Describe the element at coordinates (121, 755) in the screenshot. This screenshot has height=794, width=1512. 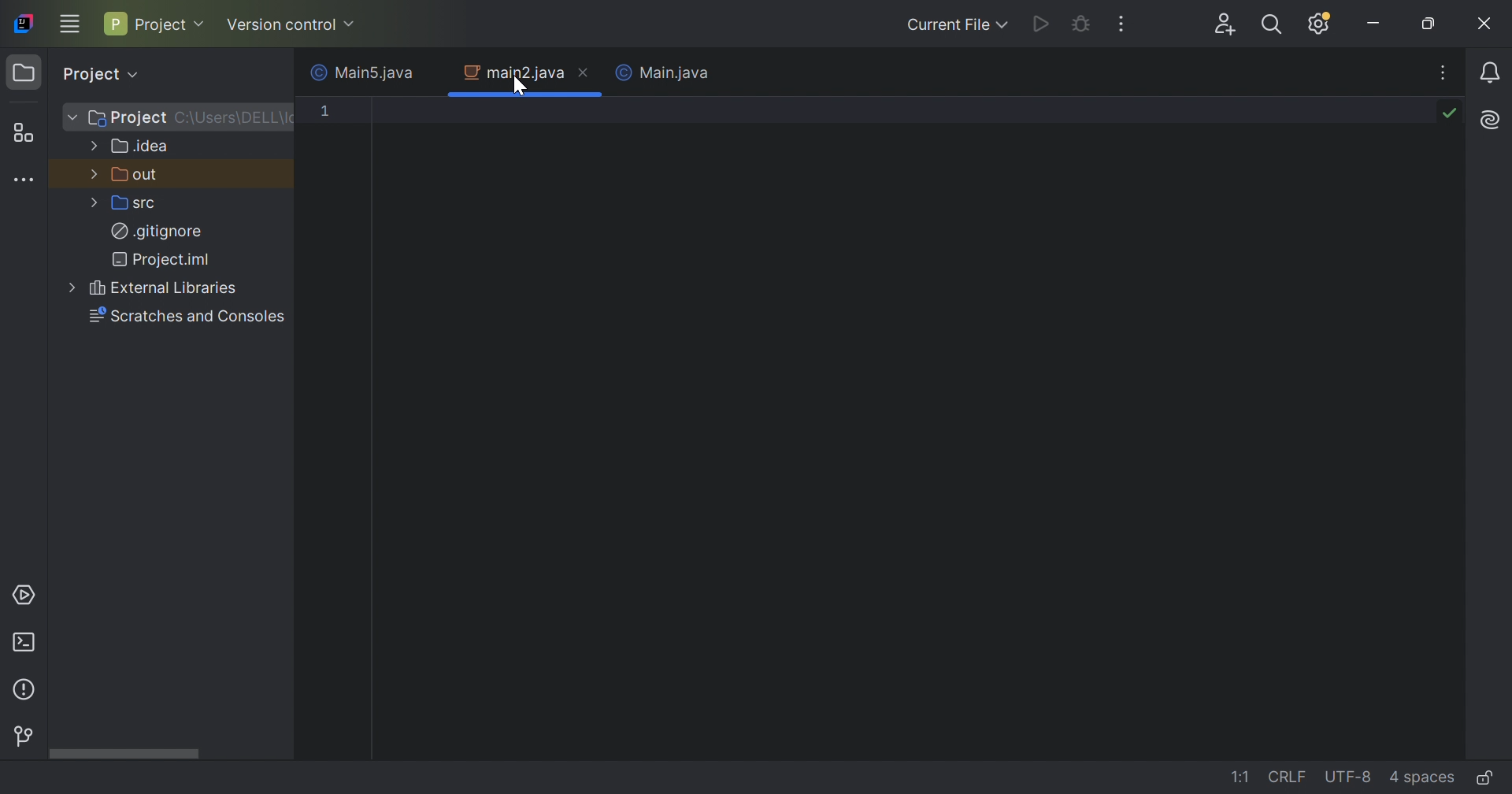
I see `Scroll bar` at that location.